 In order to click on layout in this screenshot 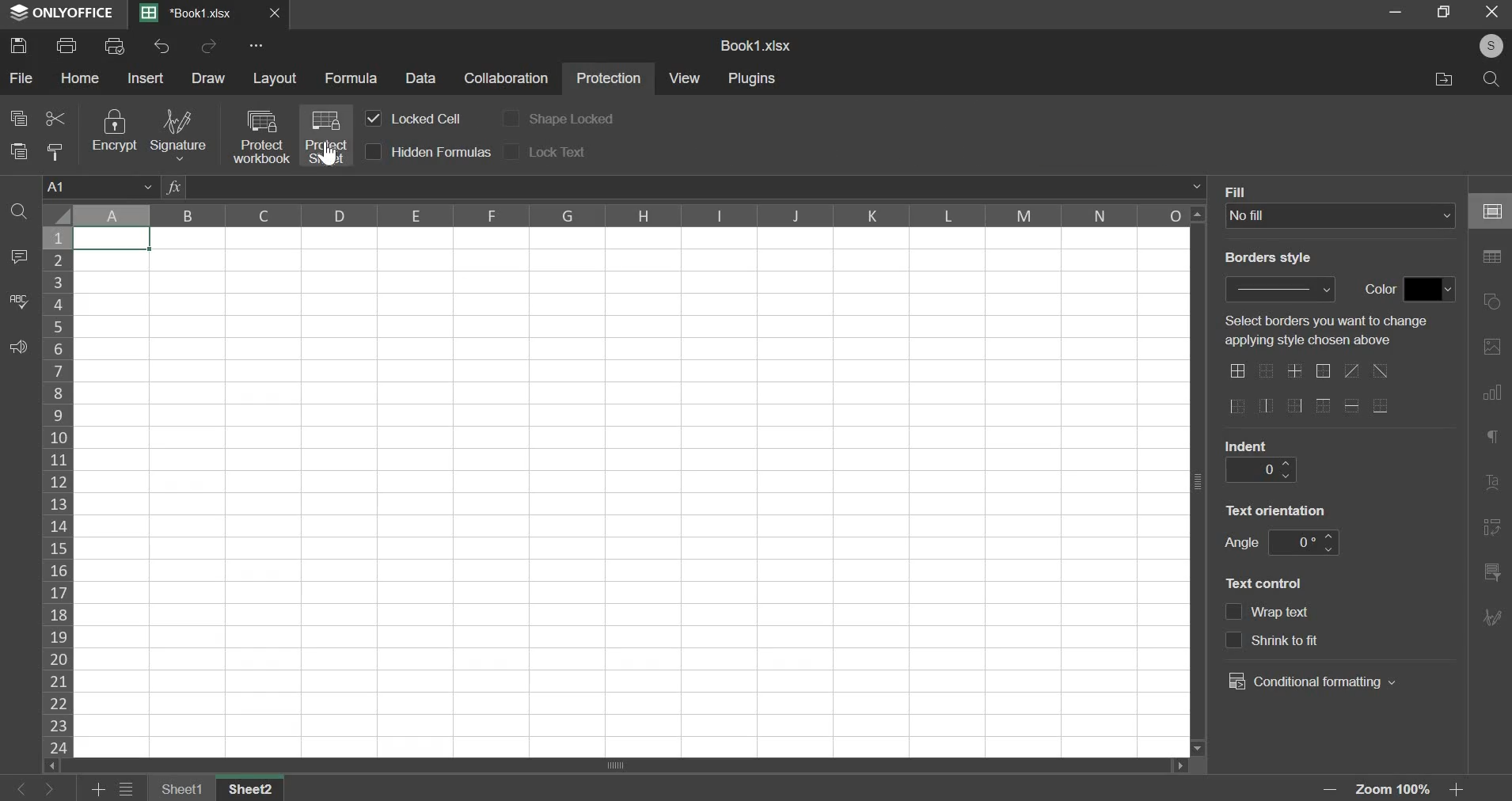, I will do `click(275, 78)`.